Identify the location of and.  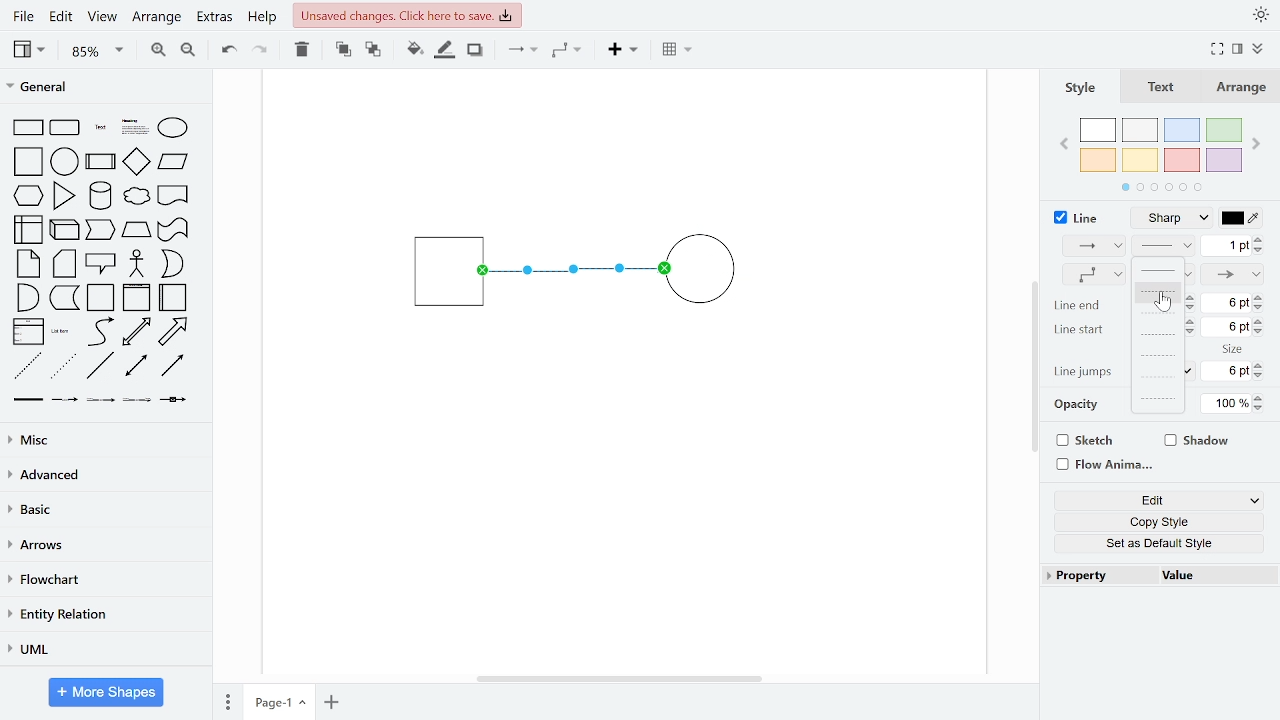
(28, 296).